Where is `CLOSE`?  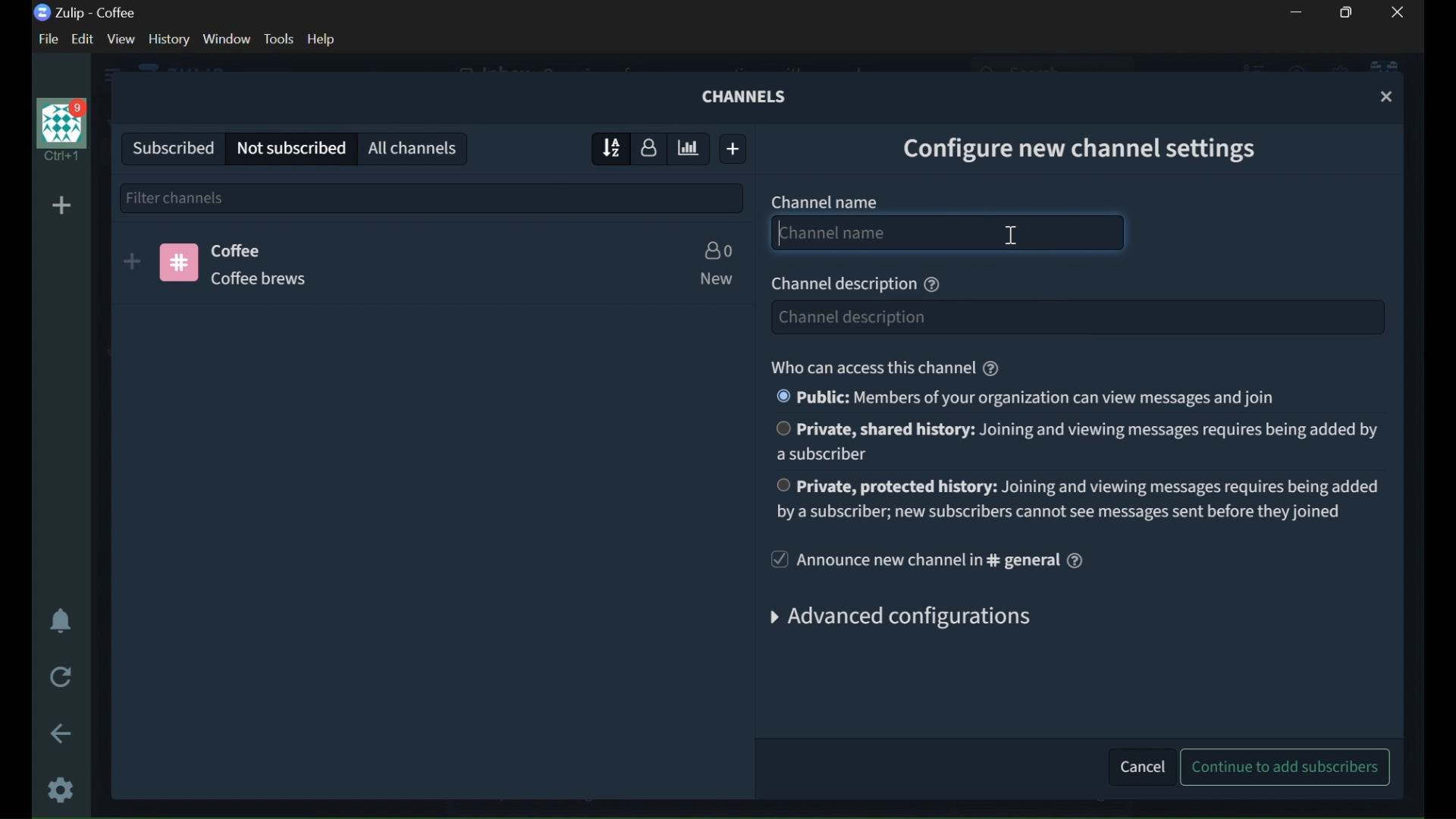
CLOSE is located at coordinates (1388, 97).